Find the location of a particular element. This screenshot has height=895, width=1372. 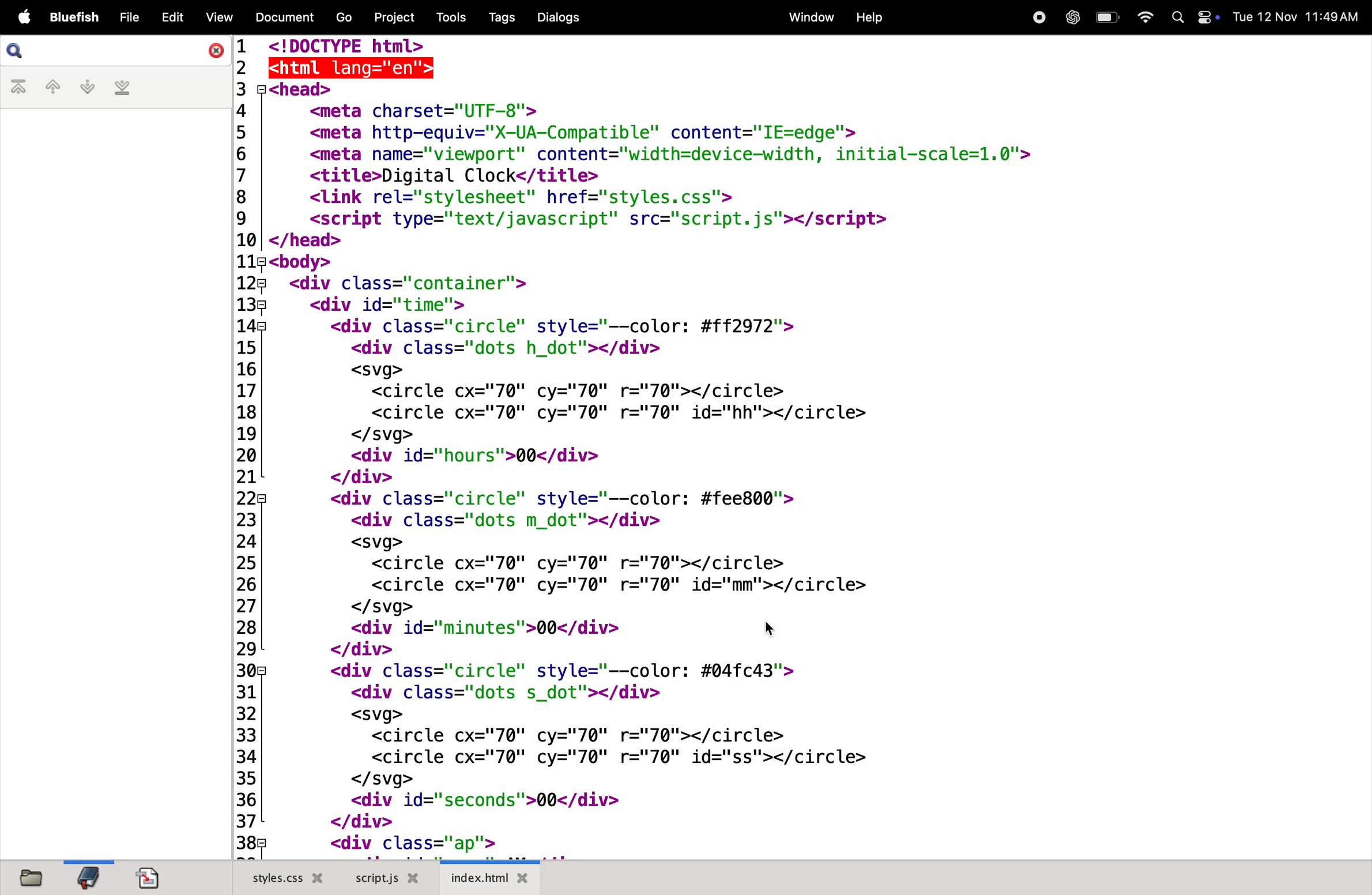

next bookmark is located at coordinates (85, 86).